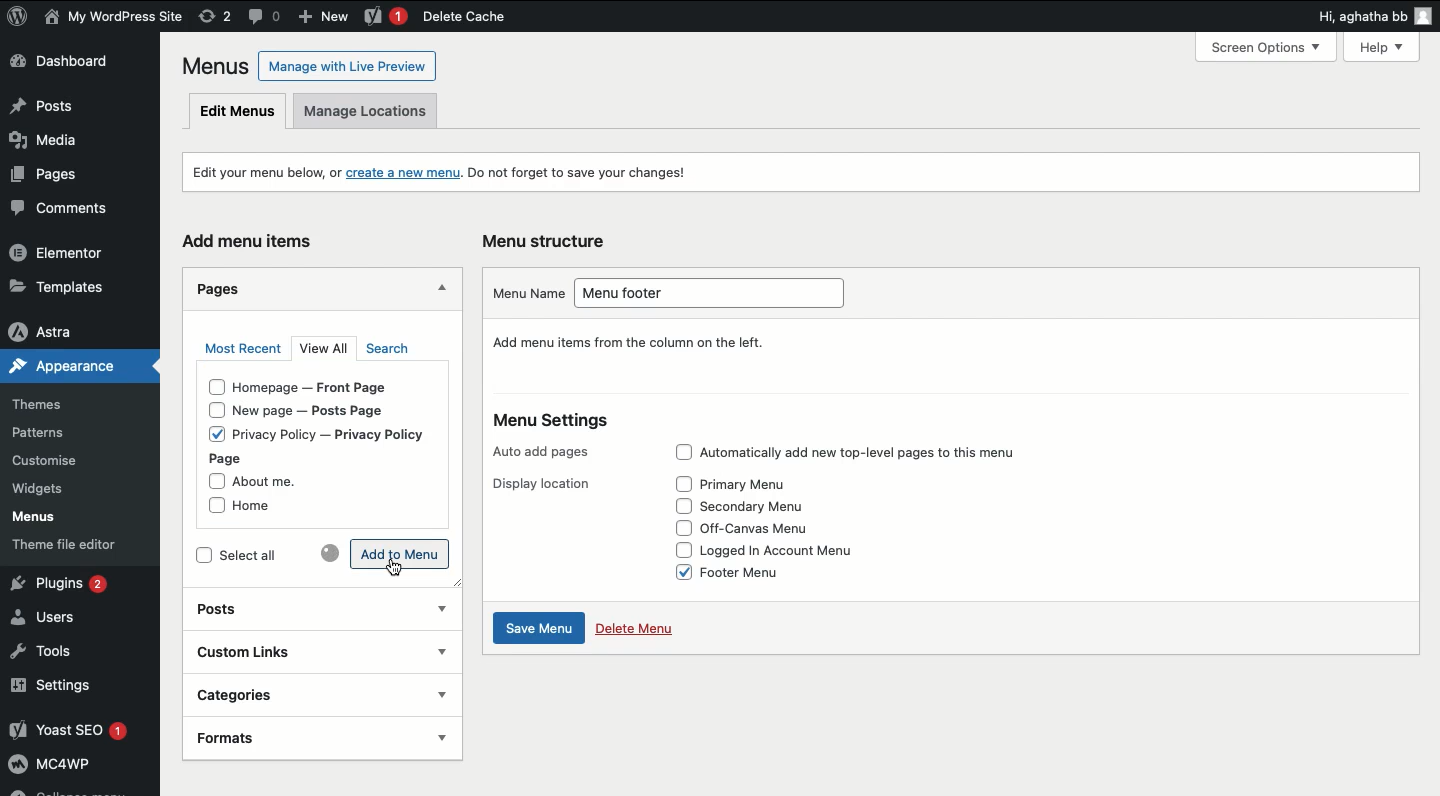 The image size is (1440, 796). Describe the element at coordinates (677, 549) in the screenshot. I see `Check box` at that location.